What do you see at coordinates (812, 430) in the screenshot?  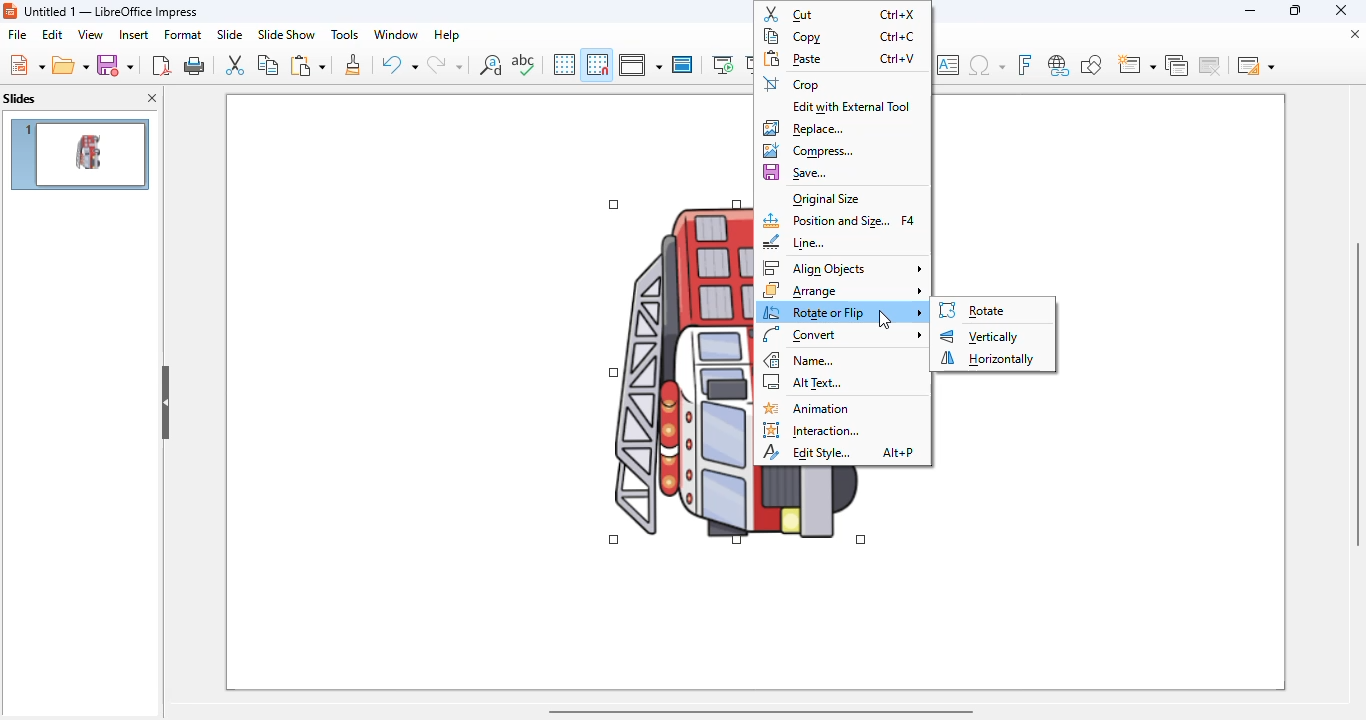 I see `interaction` at bounding box center [812, 430].